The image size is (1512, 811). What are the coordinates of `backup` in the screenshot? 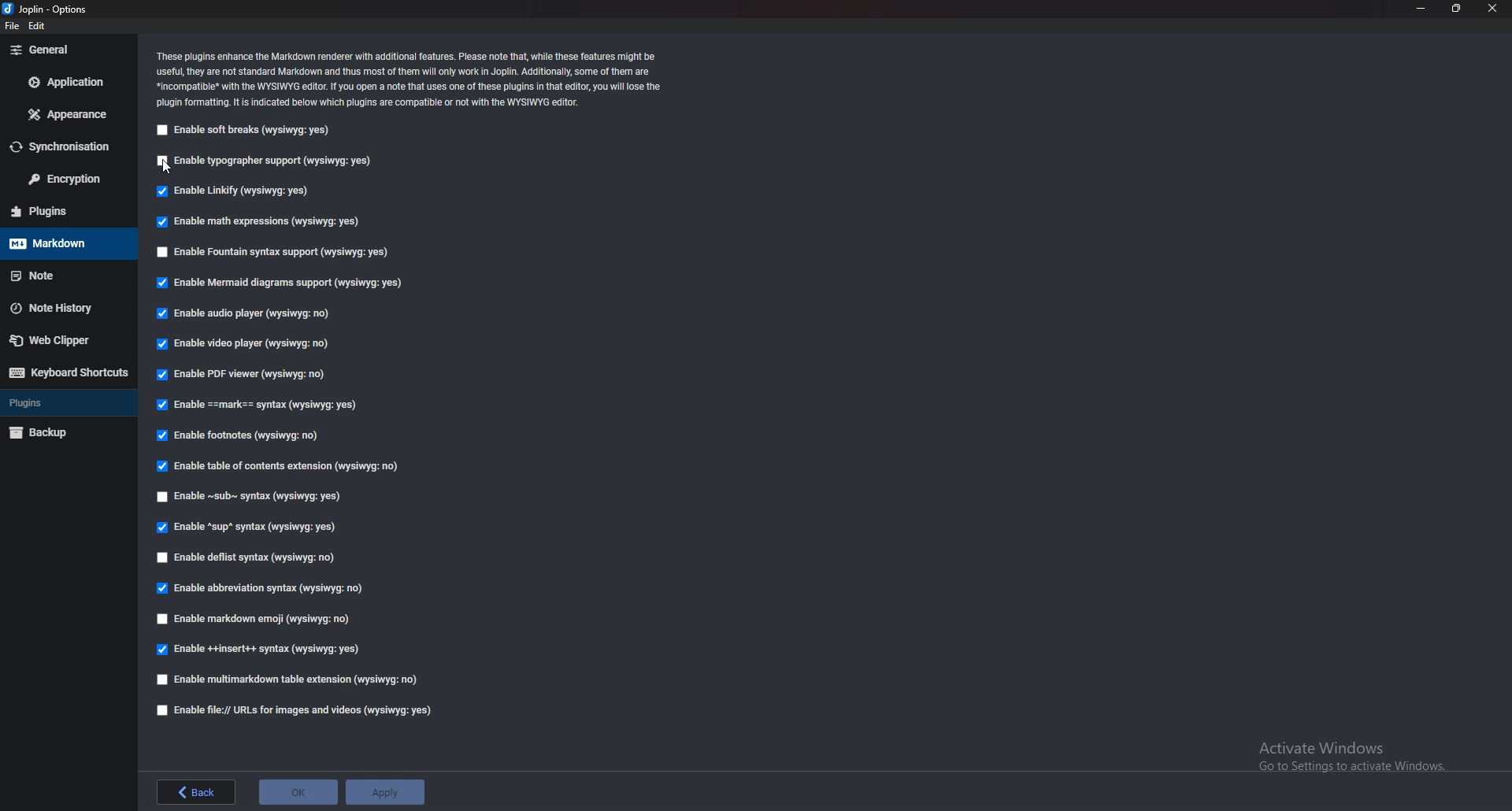 It's located at (66, 432).